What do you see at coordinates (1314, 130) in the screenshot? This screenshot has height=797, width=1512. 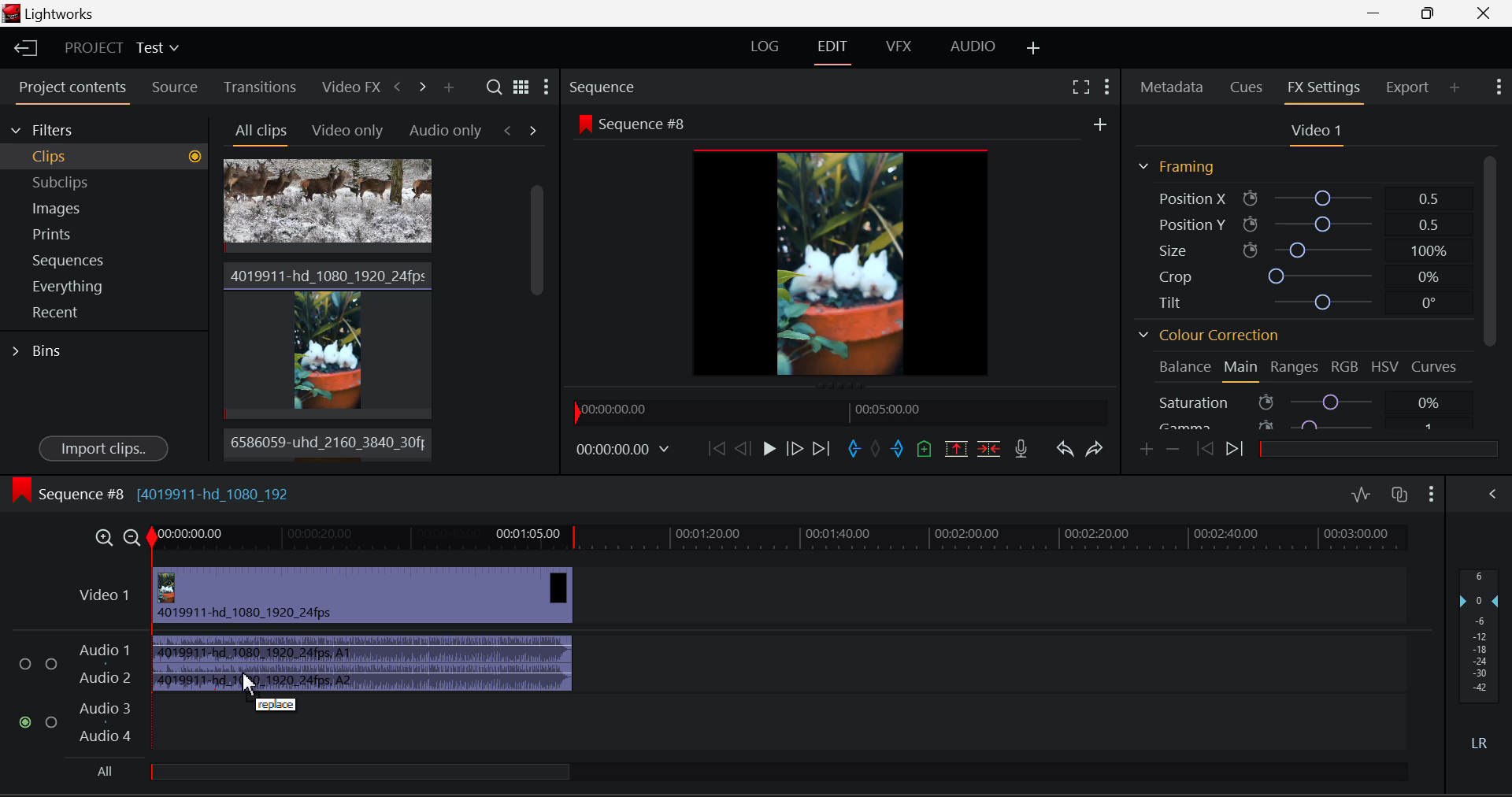 I see `Video Settings` at bounding box center [1314, 130].